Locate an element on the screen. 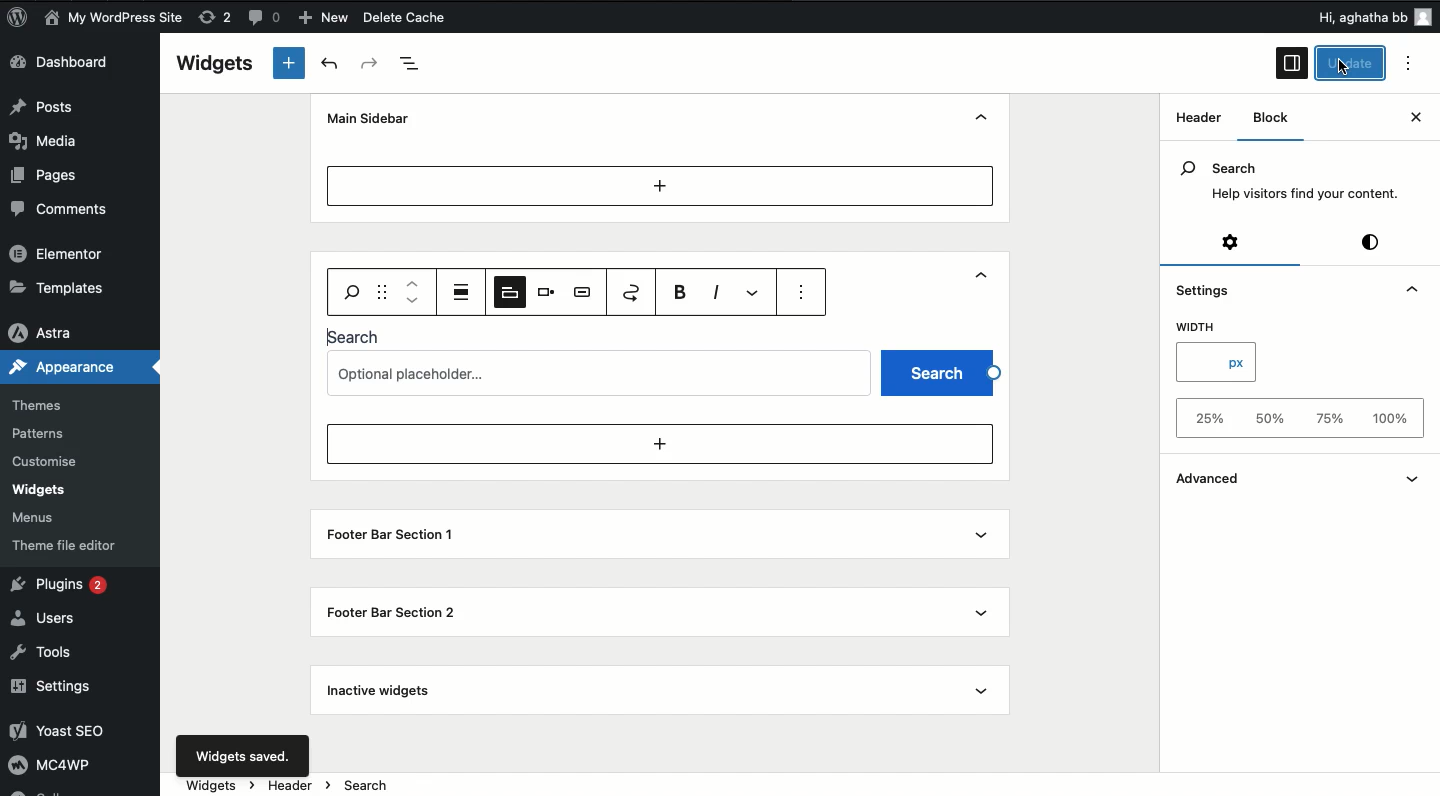 The height and width of the screenshot is (796, 1440). Pages is located at coordinates (48, 175).